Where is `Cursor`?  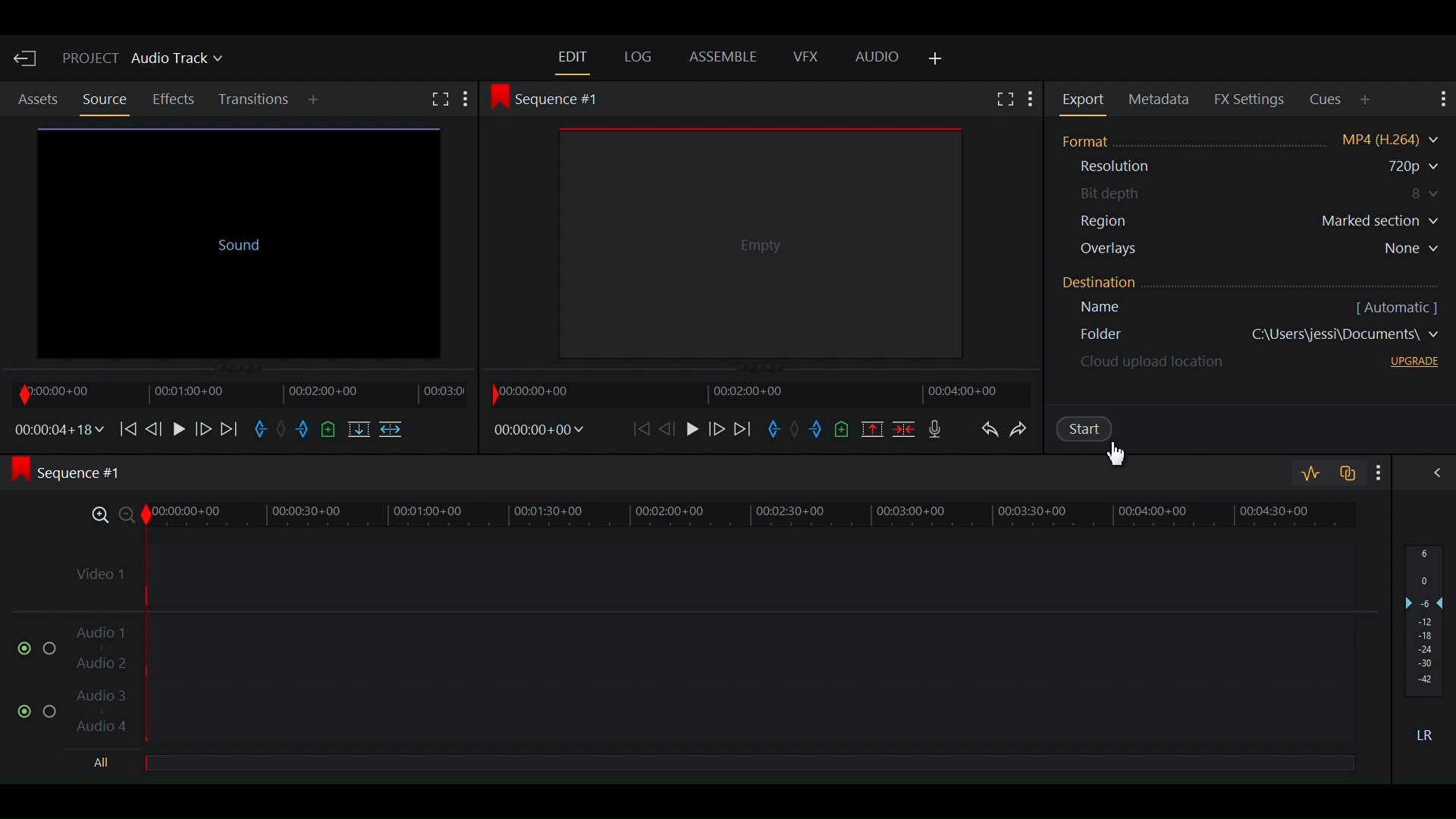 Cursor is located at coordinates (1120, 457).